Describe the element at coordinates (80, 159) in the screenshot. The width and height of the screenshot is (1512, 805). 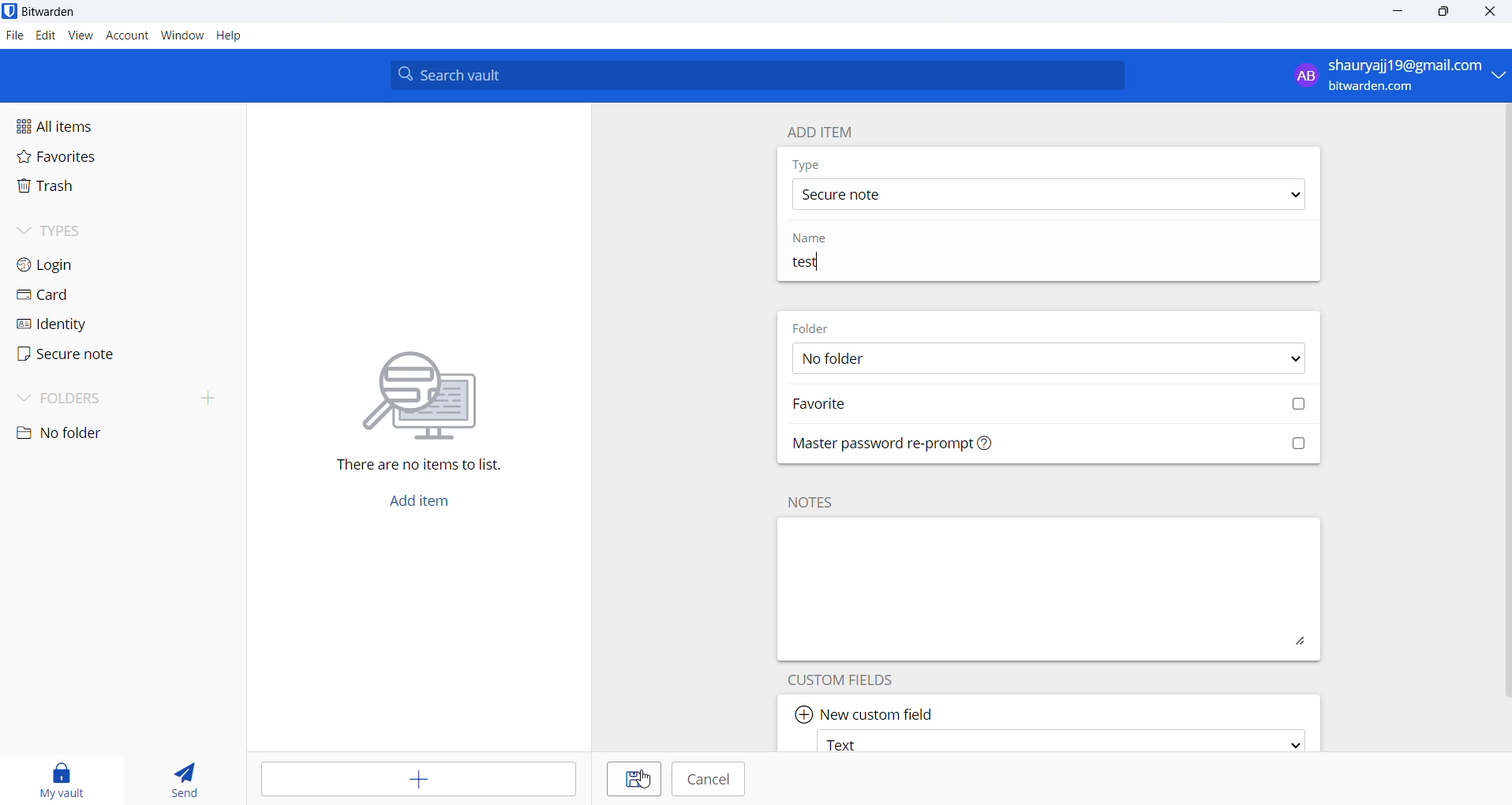
I see `favorites` at that location.